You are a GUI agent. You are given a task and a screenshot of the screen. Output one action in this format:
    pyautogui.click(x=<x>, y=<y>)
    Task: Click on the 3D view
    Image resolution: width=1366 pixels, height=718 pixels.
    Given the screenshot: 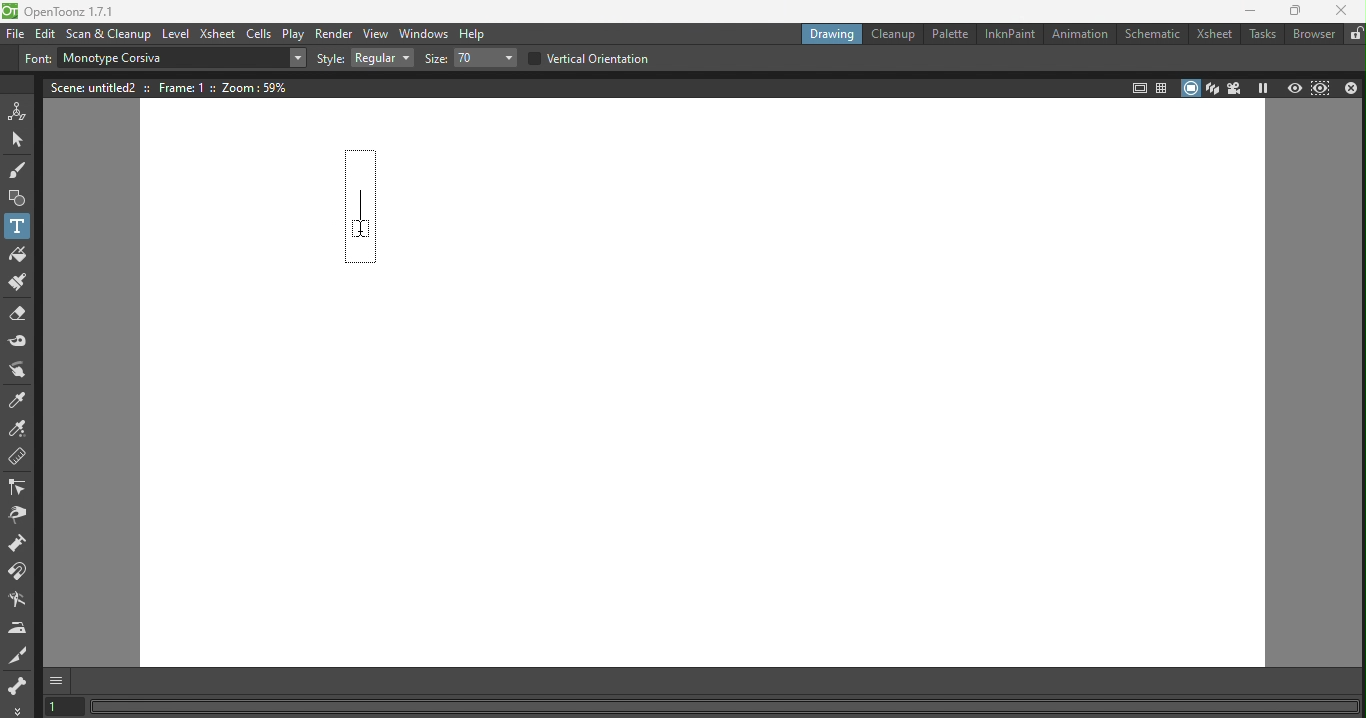 What is the action you would take?
    pyautogui.click(x=1211, y=88)
    